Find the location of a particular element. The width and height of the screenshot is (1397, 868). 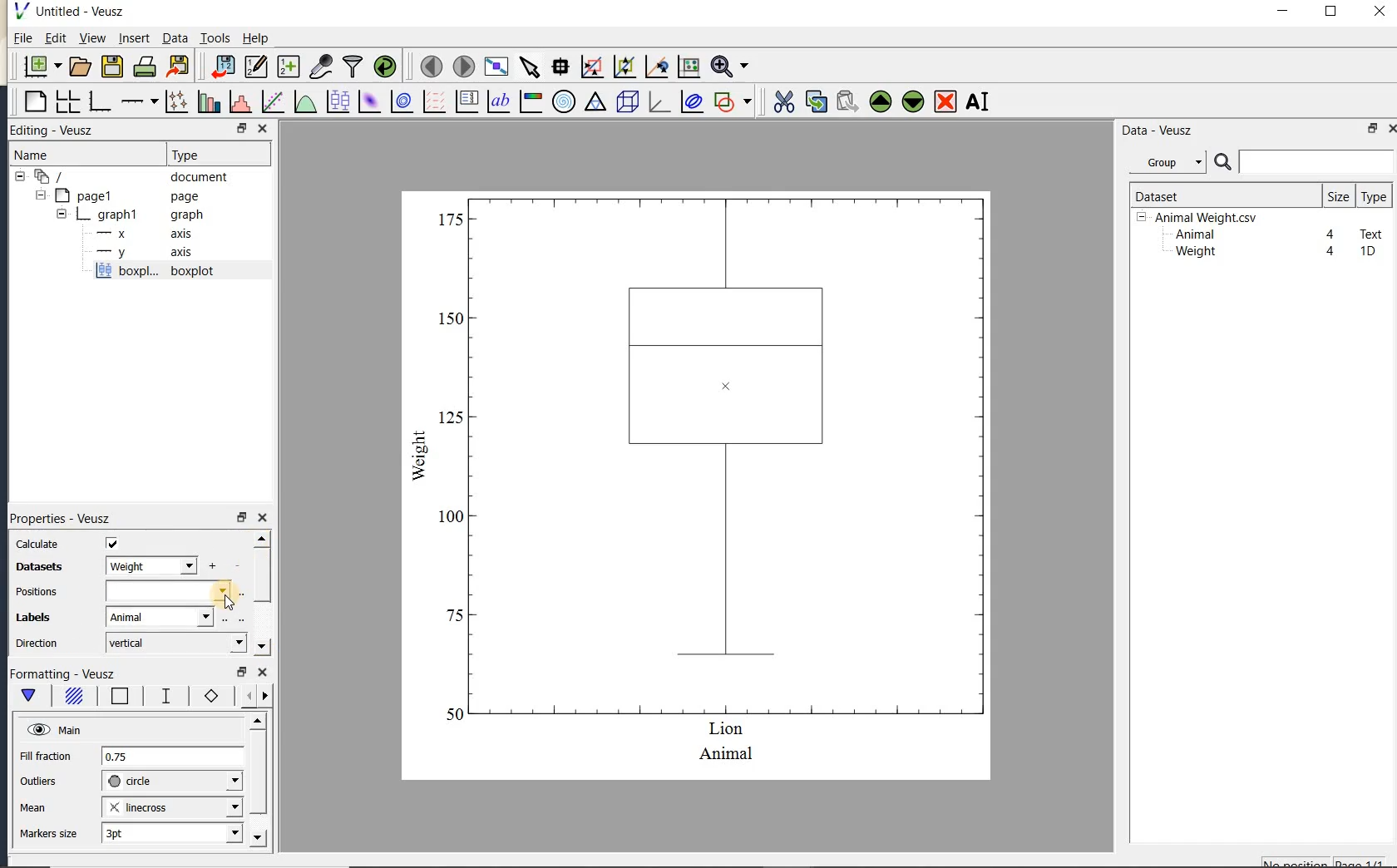

move the selected widget down is located at coordinates (913, 101).